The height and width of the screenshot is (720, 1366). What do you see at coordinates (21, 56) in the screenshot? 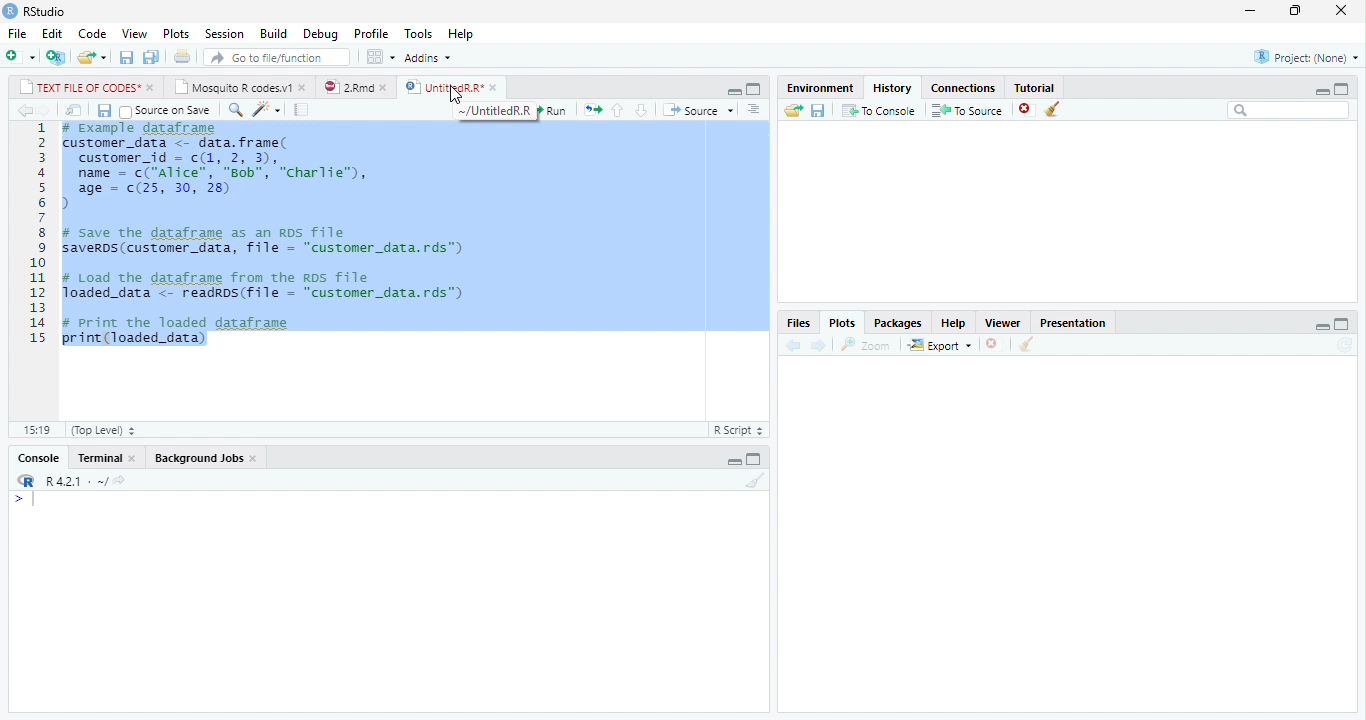
I see `new file` at bounding box center [21, 56].